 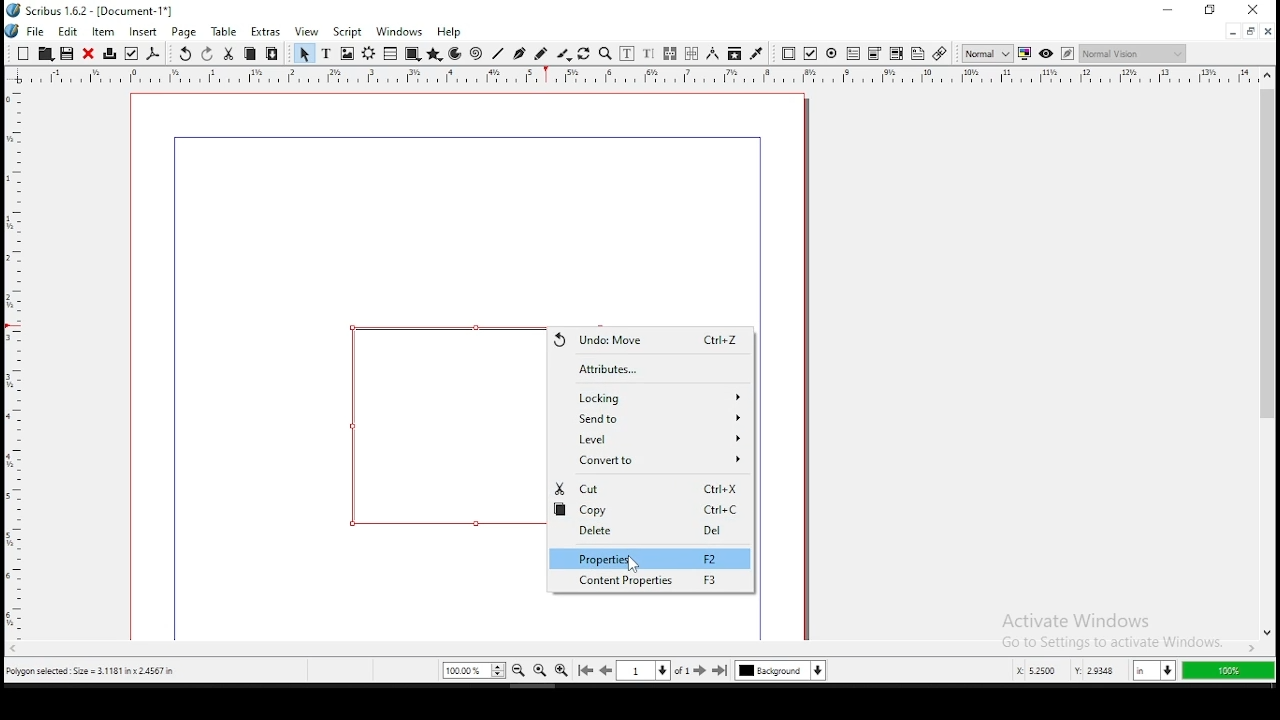 What do you see at coordinates (444, 426) in the screenshot?
I see `shape` at bounding box center [444, 426].